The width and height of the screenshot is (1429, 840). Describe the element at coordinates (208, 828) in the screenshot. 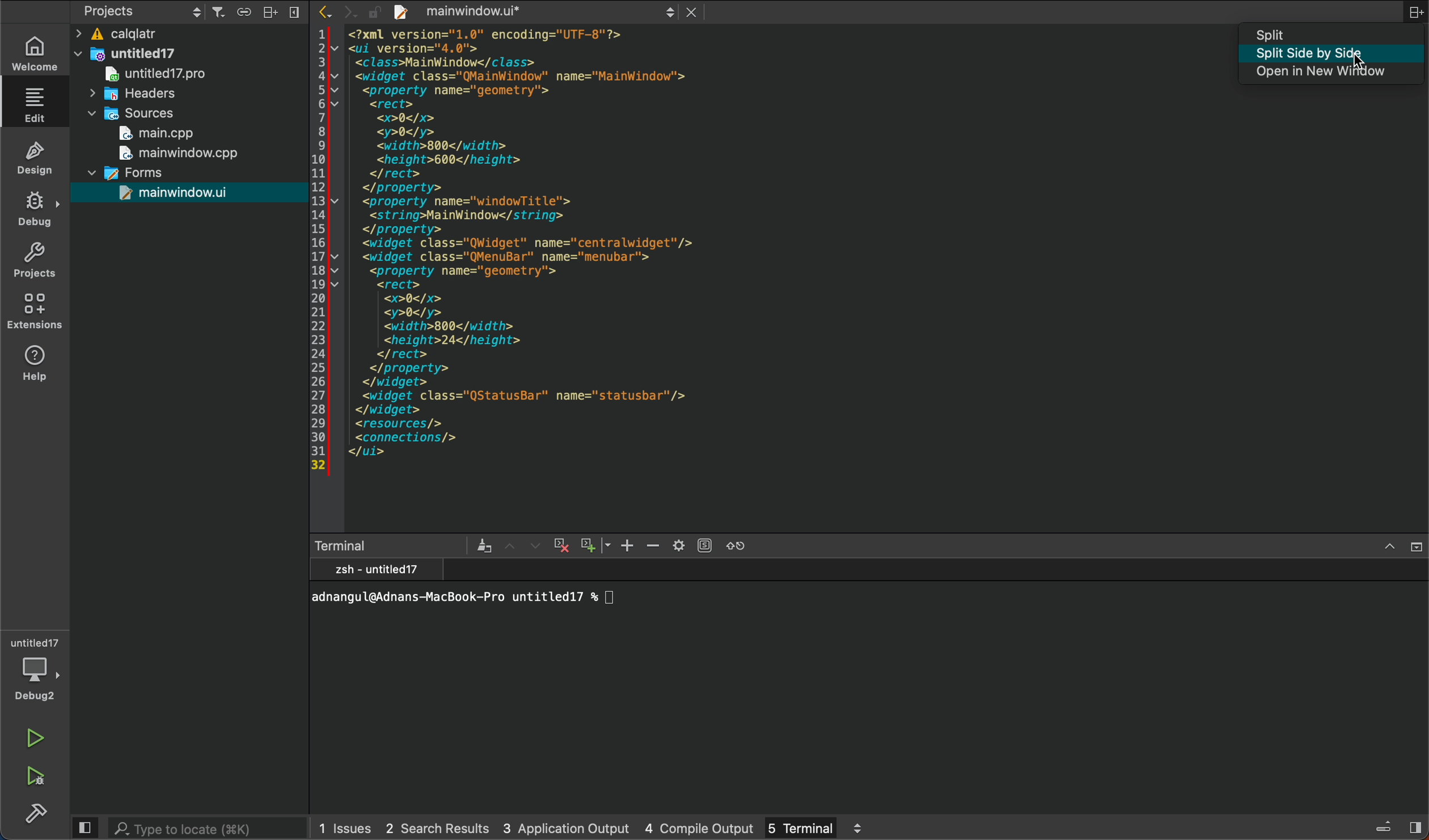

I see `search` at that location.